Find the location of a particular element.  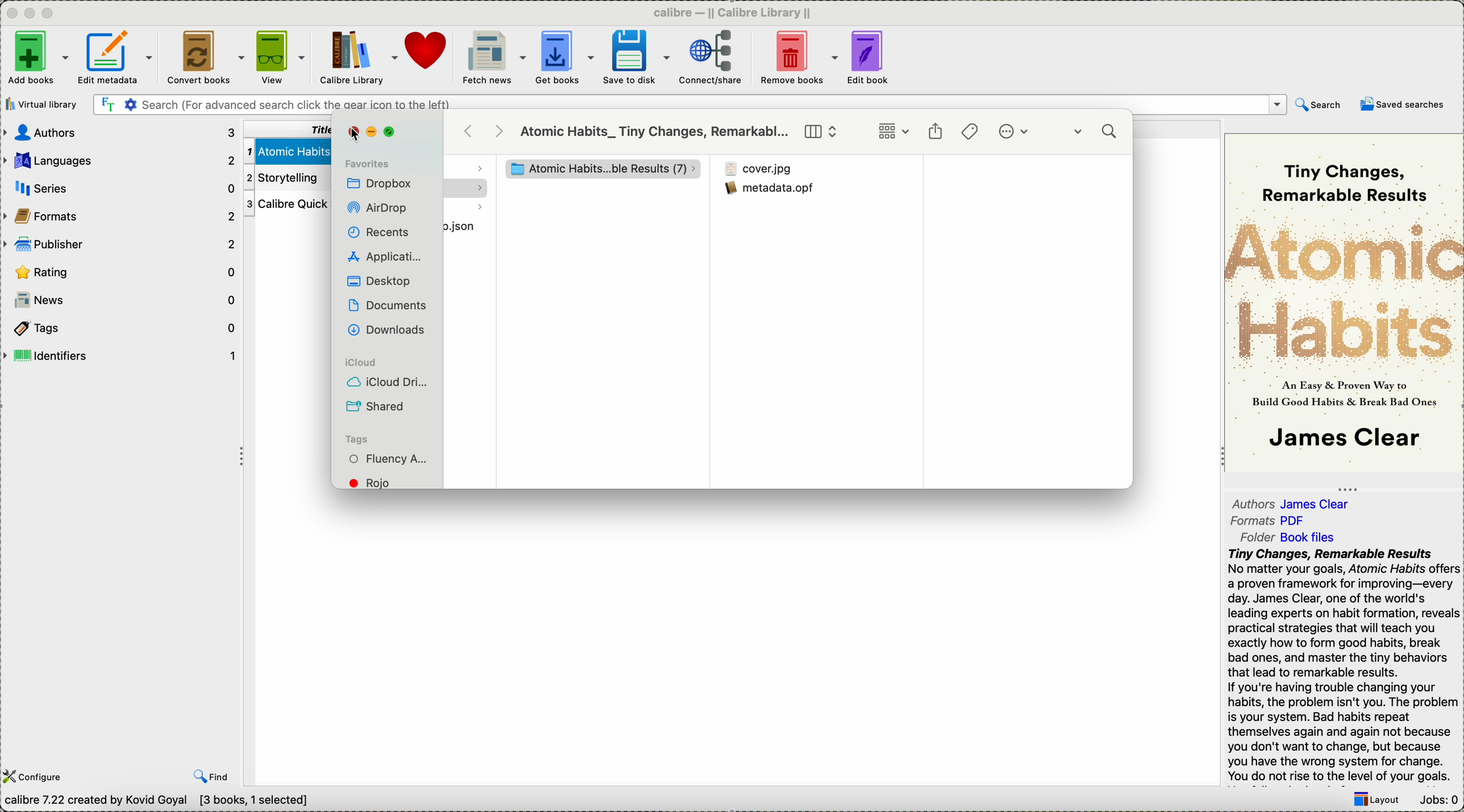

layout is located at coordinates (1375, 801).